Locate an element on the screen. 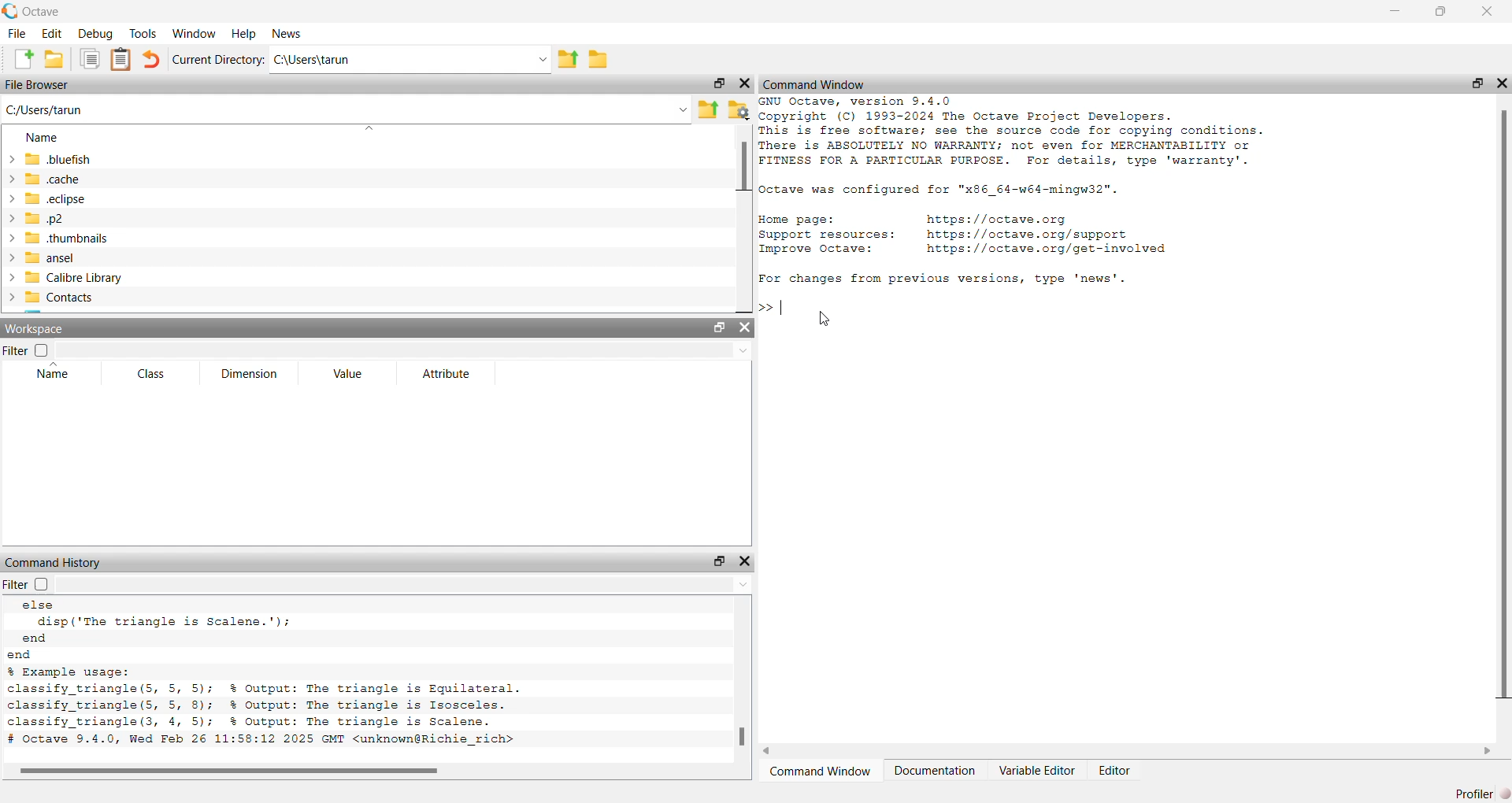 The height and width of the screenshot is (803, 1512). cursor is located at coordinates (825, 320).